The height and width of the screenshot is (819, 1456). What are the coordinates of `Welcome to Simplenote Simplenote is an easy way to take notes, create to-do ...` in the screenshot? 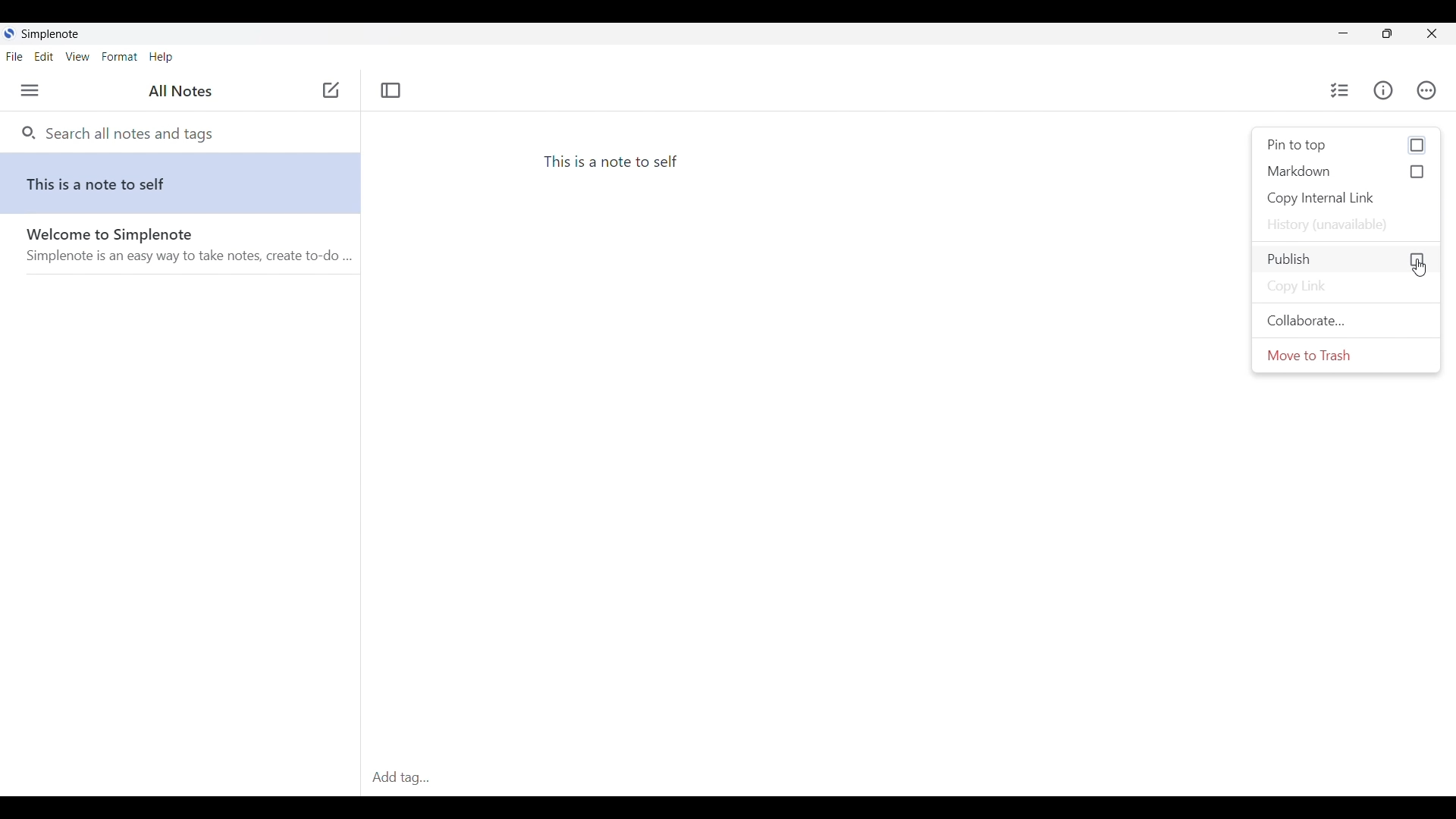 It's located at (186, 250).